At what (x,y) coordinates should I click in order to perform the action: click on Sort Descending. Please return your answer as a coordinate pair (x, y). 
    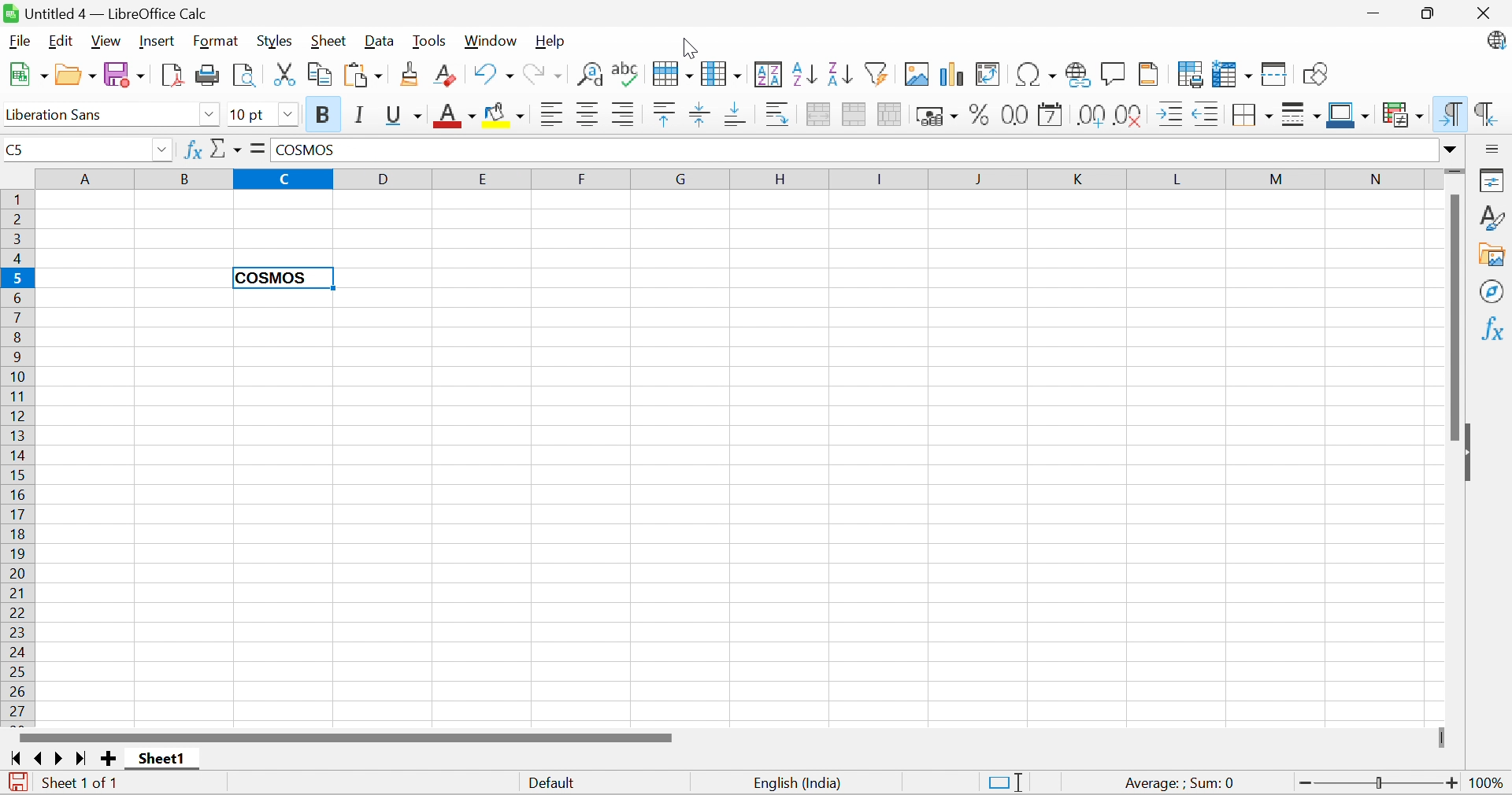
    Looking at the image, I should click on (838, 72).